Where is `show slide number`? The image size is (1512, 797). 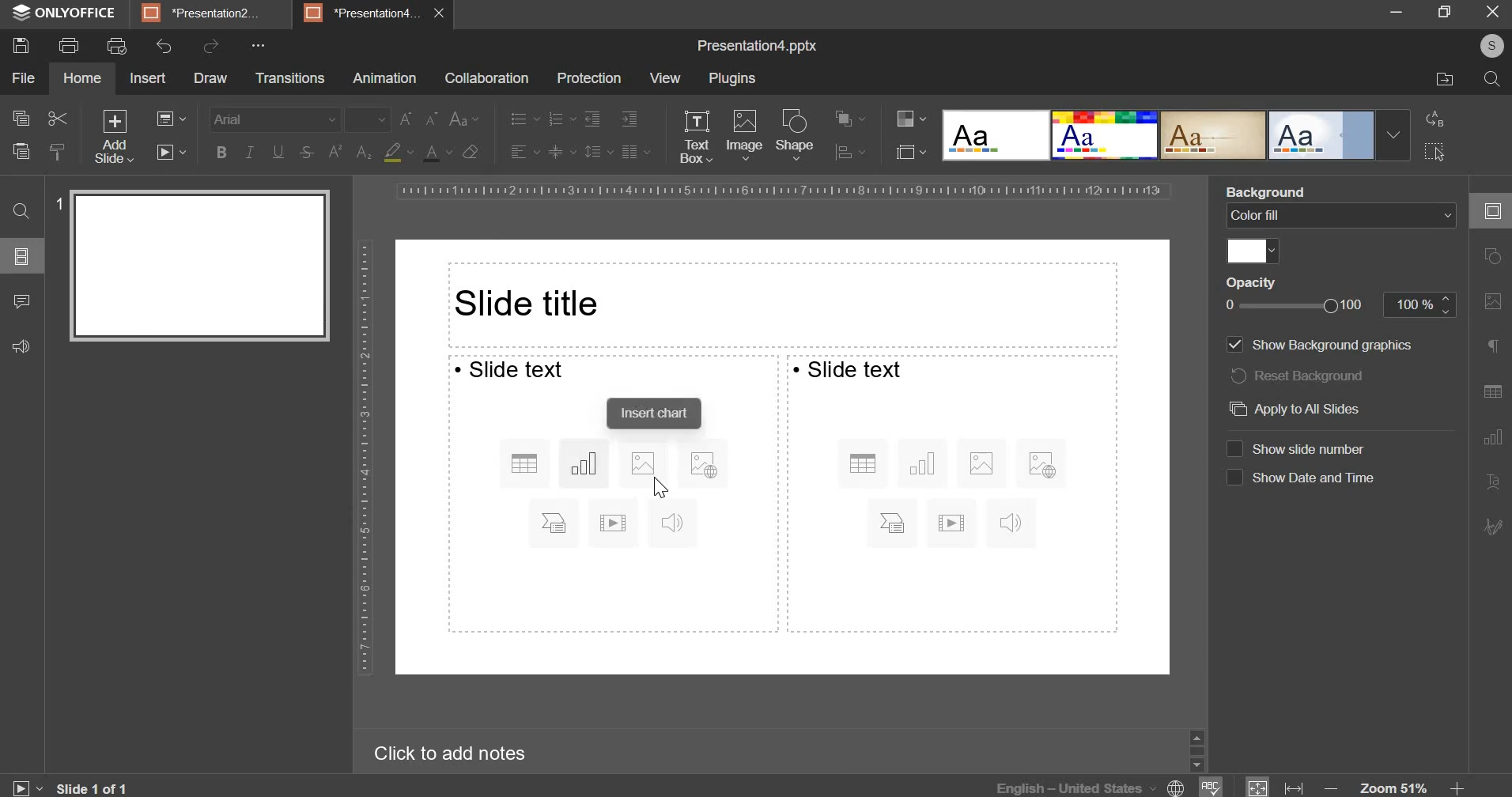
show slide number is located at coordinates (1317, 448).